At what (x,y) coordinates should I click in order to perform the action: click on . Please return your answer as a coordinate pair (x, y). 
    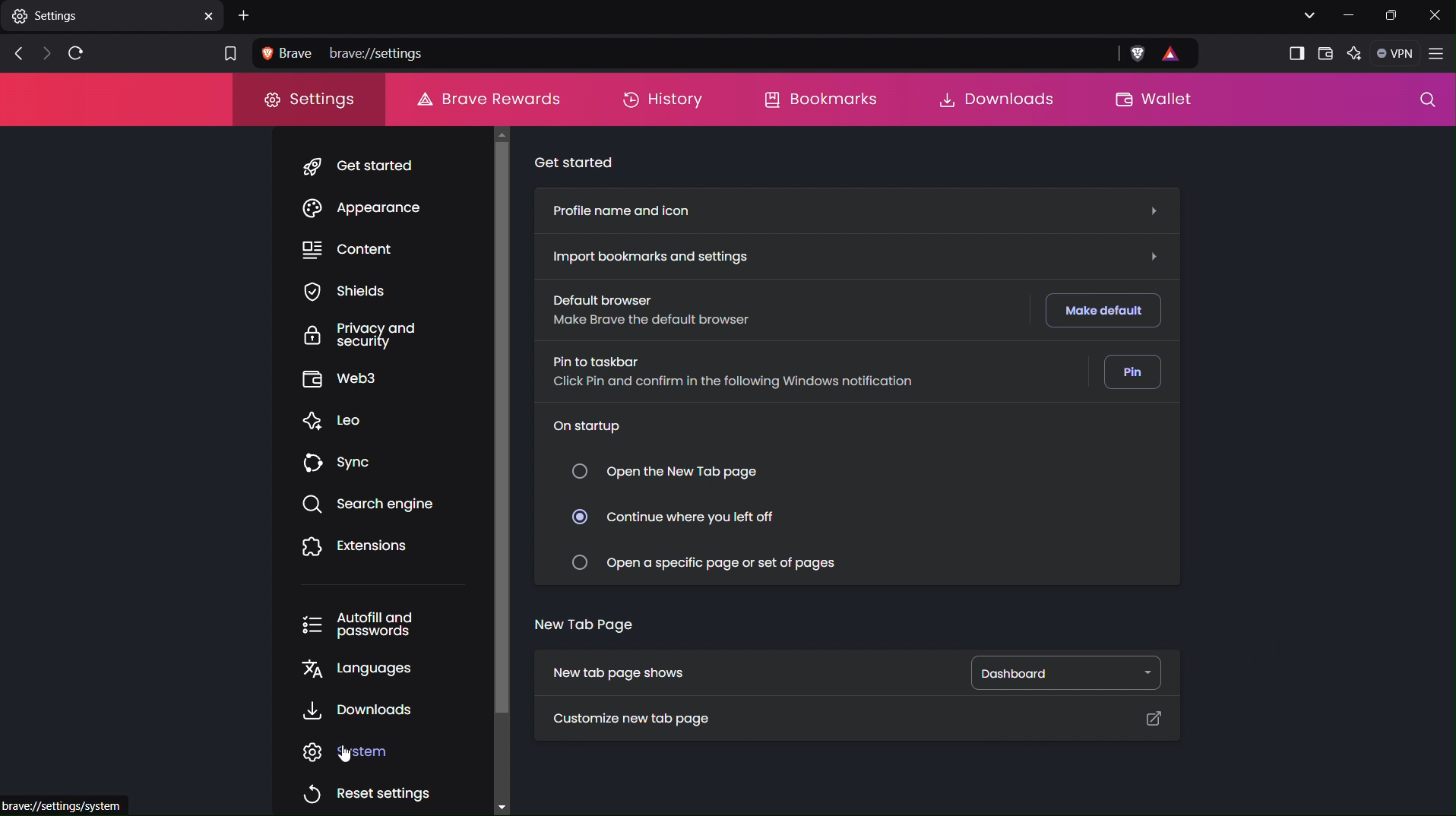
    Looking at the image, I should click on (1154, 212).